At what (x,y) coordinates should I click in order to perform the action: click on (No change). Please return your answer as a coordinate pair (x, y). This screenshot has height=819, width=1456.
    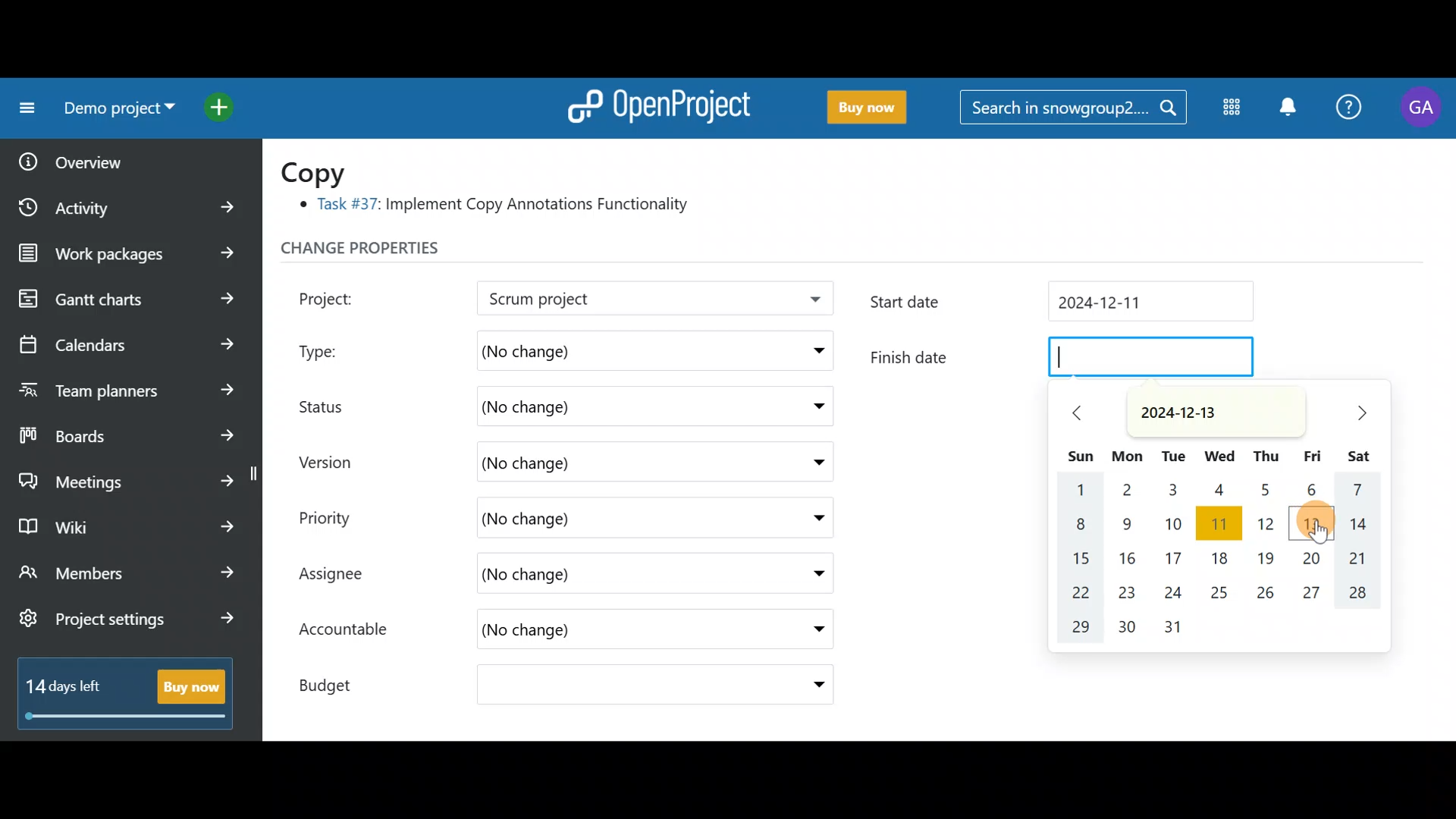
    Looking at the image, I should click on (599, 576).